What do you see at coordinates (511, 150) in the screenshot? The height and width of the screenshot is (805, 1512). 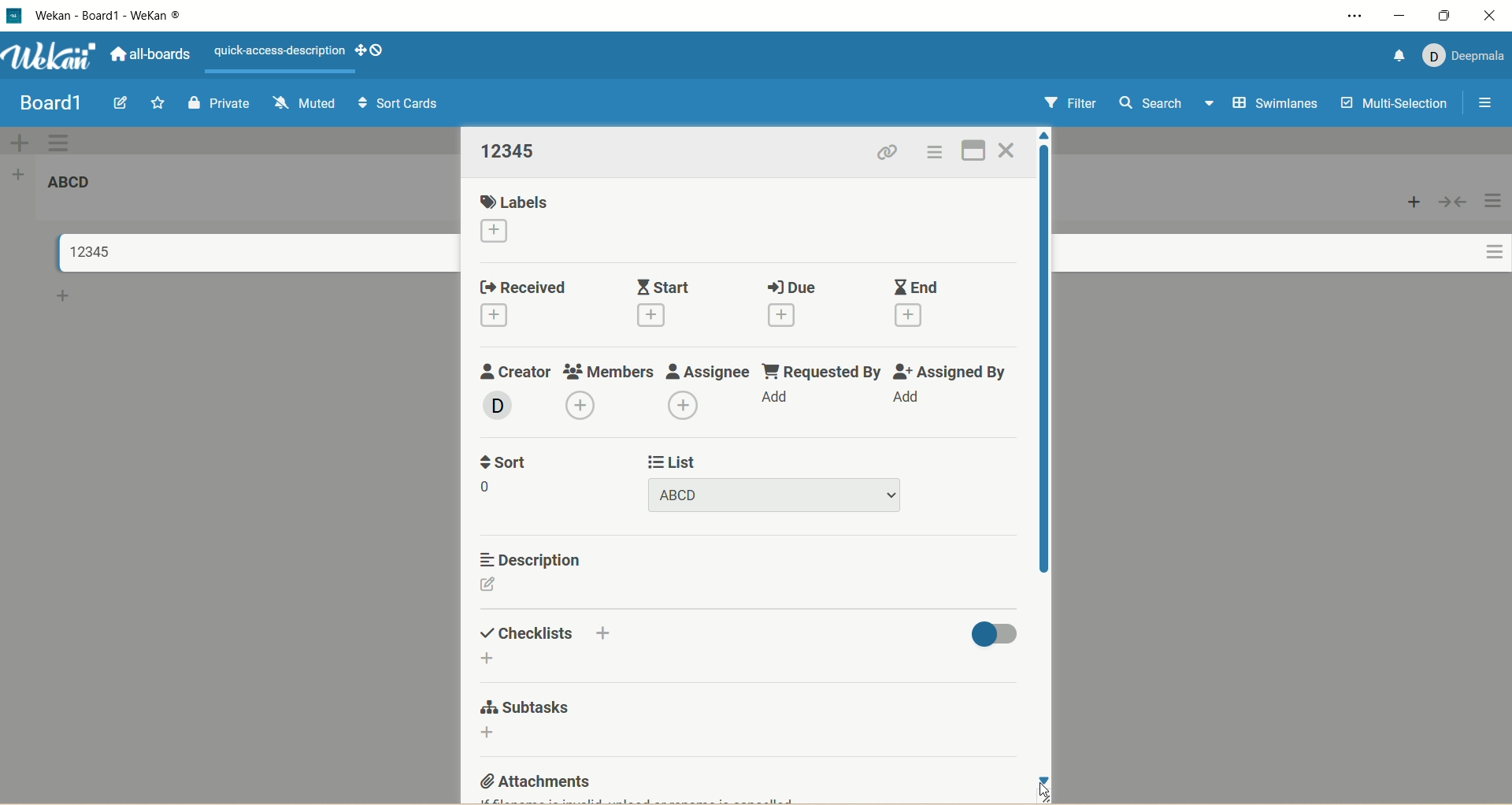 I see `title` at bounding box center [511, 150].